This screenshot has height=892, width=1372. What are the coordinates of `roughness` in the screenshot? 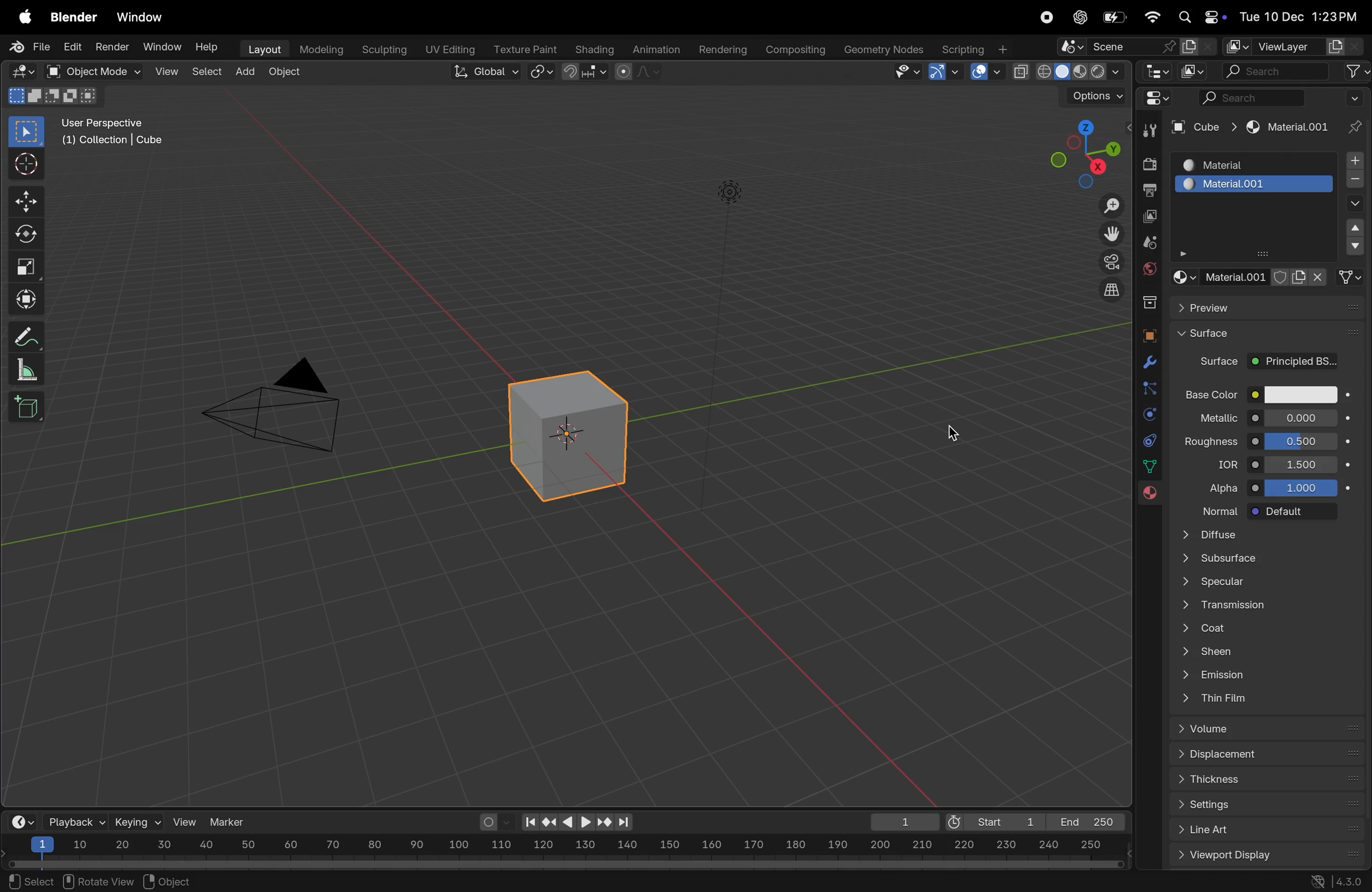 It's located at (1210, 439).